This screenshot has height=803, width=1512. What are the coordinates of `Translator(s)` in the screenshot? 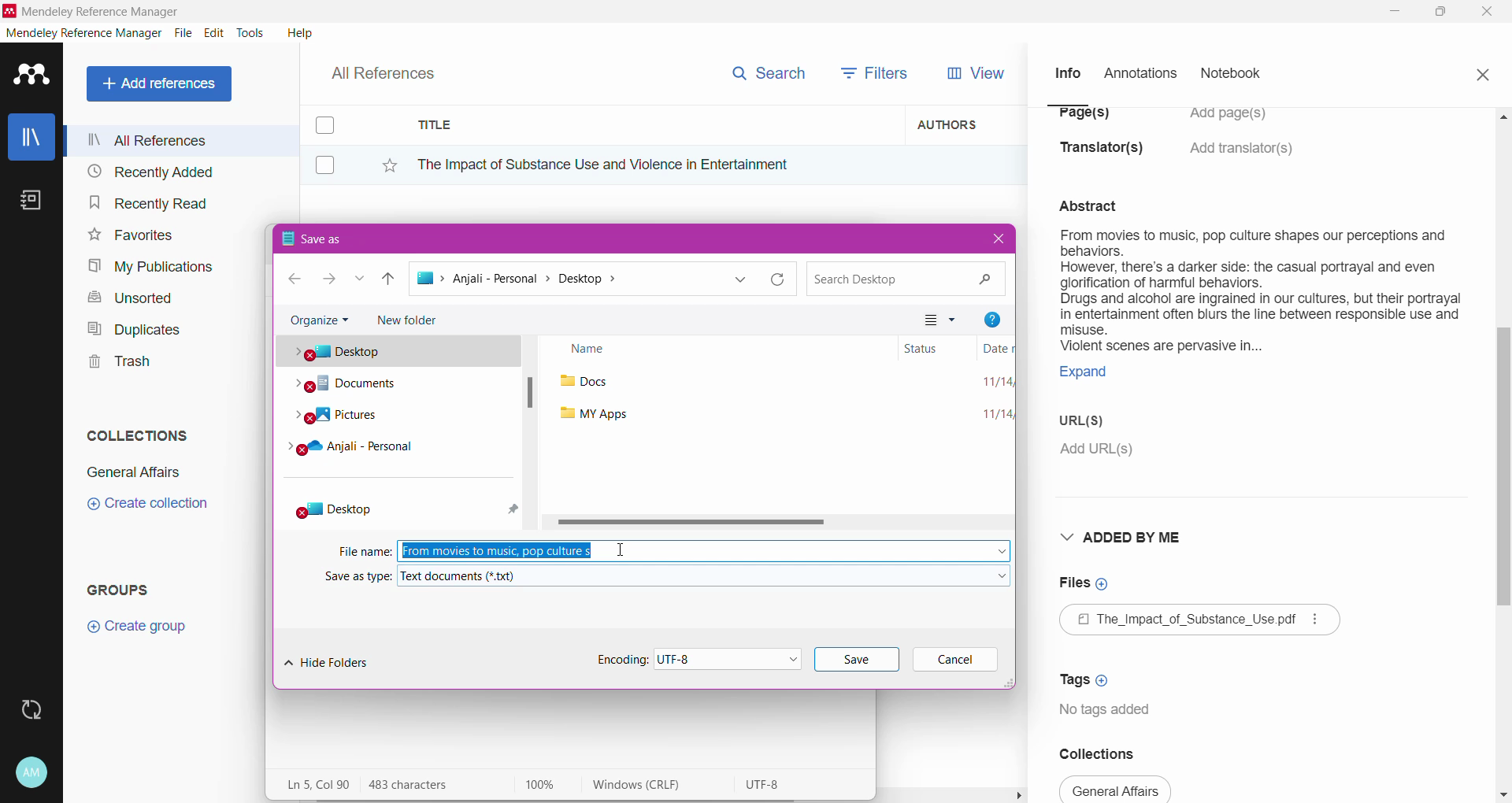 It's located at (1106, 155).